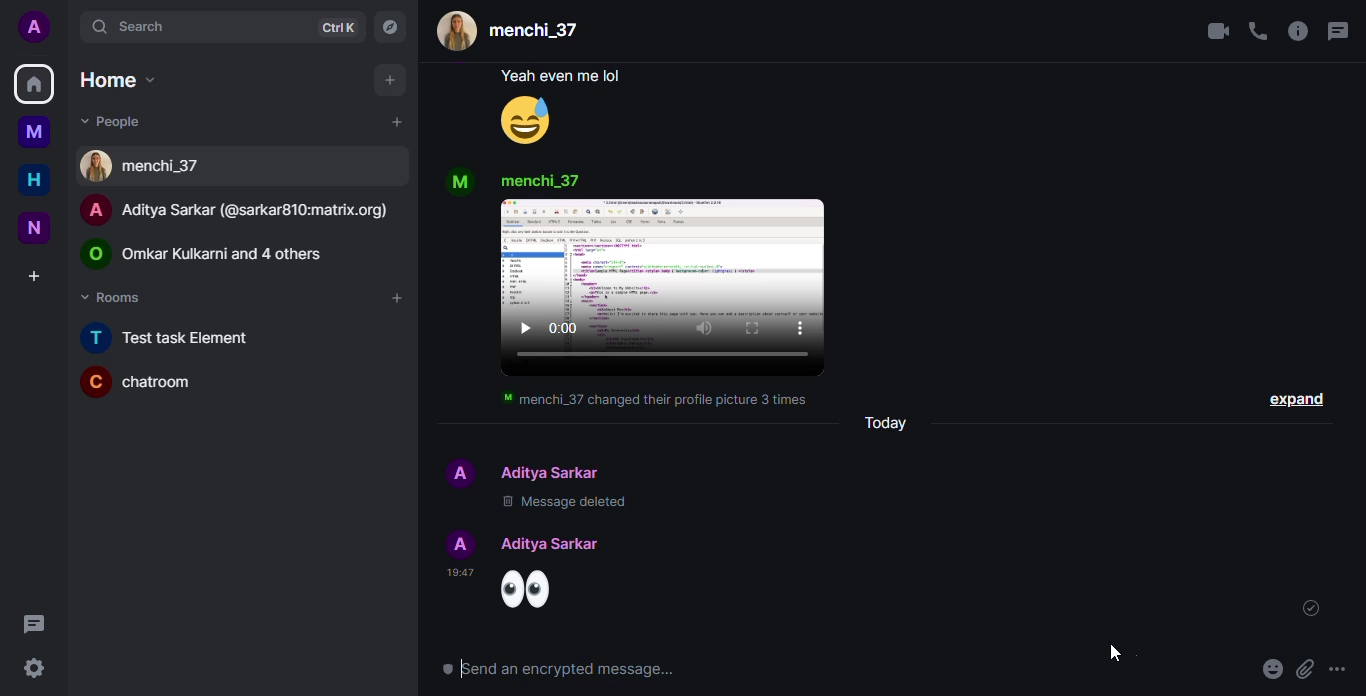 The image size is (1366, 696). What do you see at coordinates (142, 382) in the screenshot?
I see `chatroom` at bounding box center [142, 382].